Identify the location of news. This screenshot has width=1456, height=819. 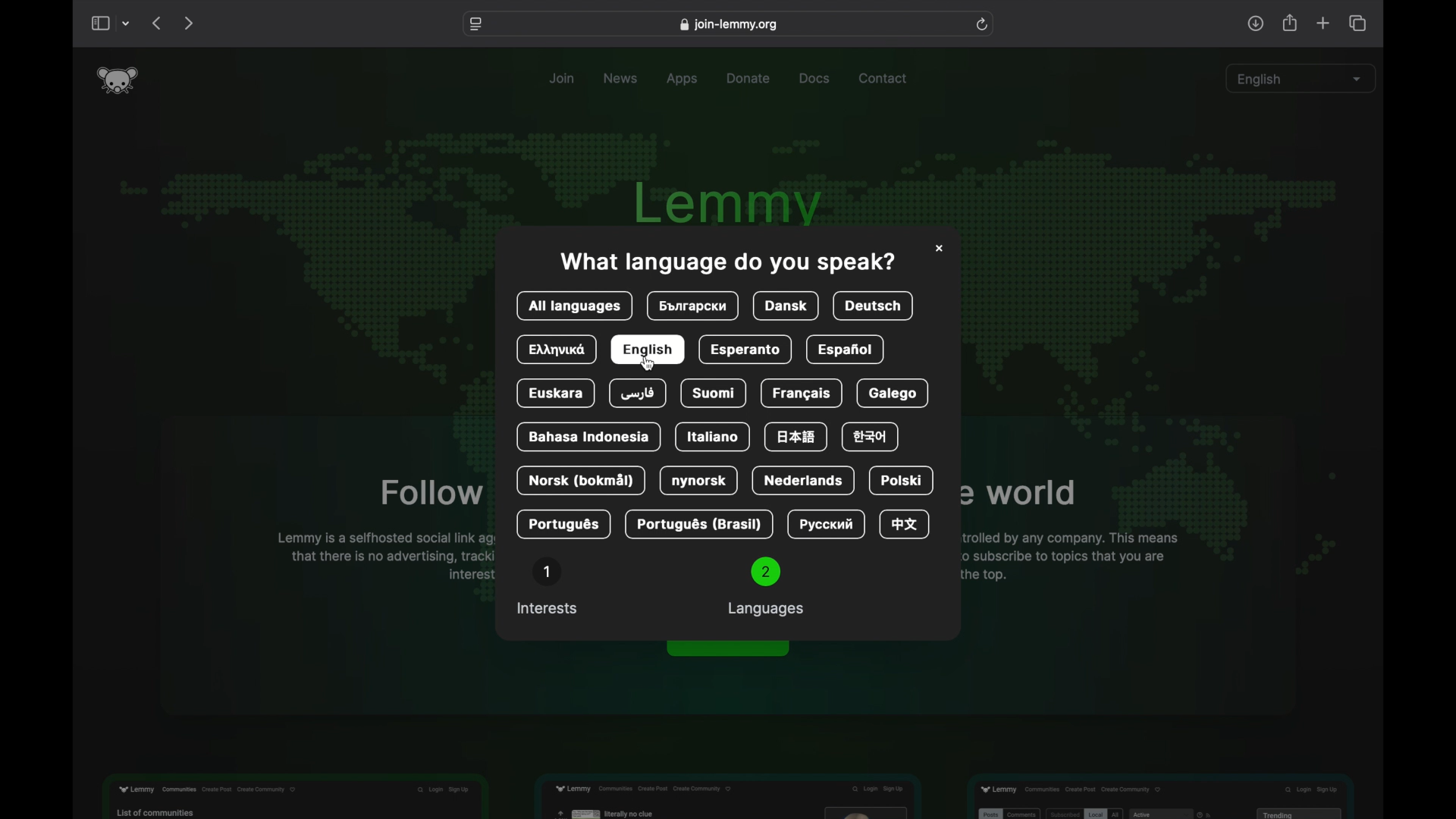
(622, 79).